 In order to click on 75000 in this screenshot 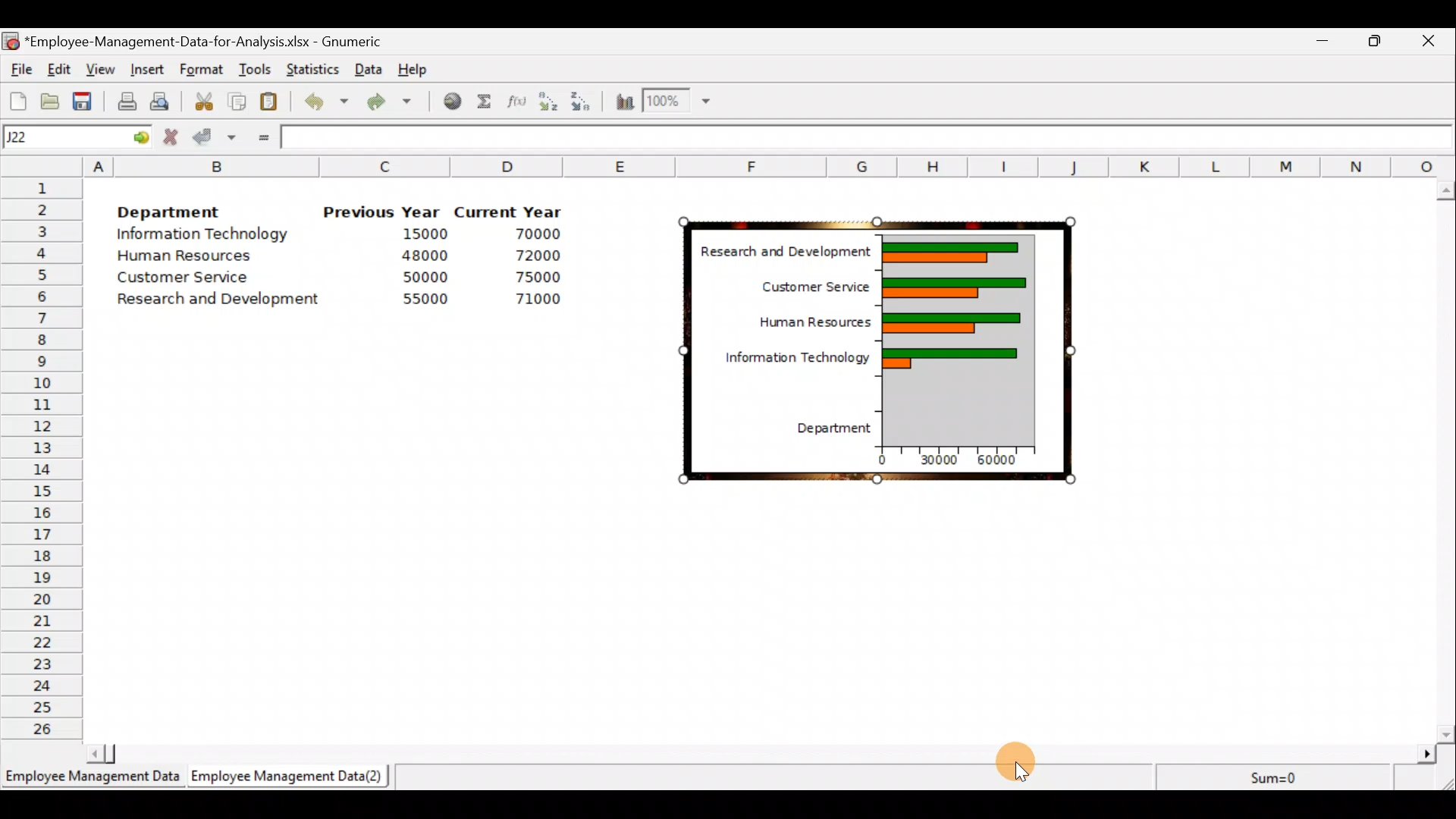, I will do `click(525, 279)`.